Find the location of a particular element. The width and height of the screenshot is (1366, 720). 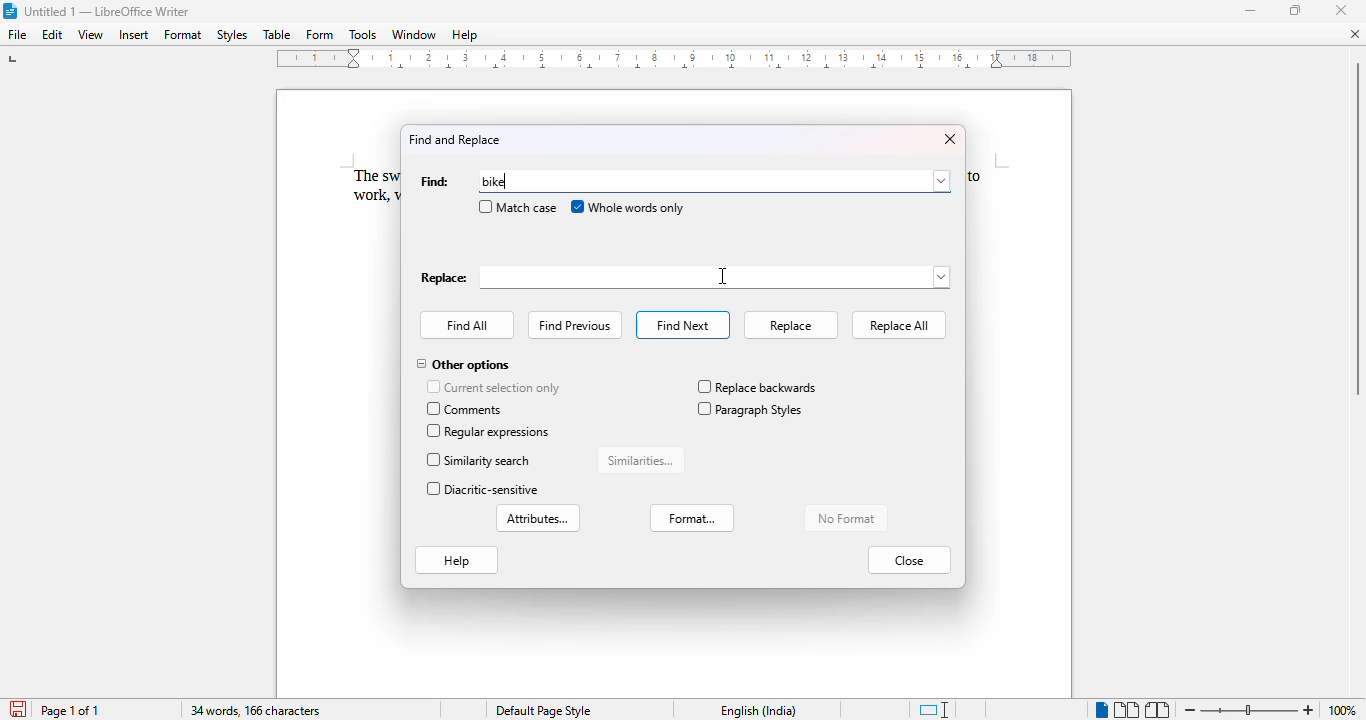

cursor is located at coordinates (773, 209).